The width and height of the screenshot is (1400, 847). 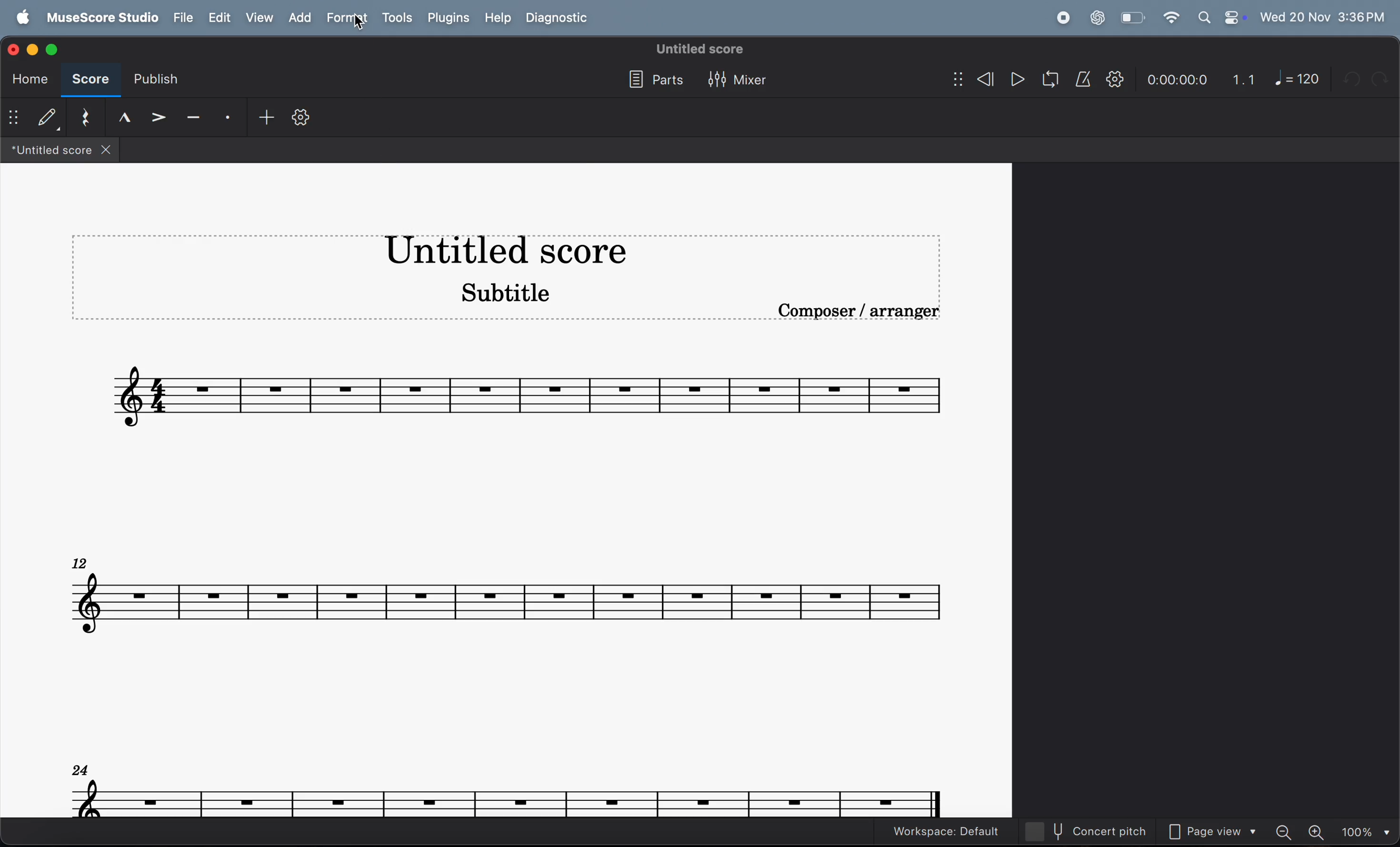 What do you see at coordinates (86, 118) in the screenshot?
I see `reset` at bounding box center [86, 118].